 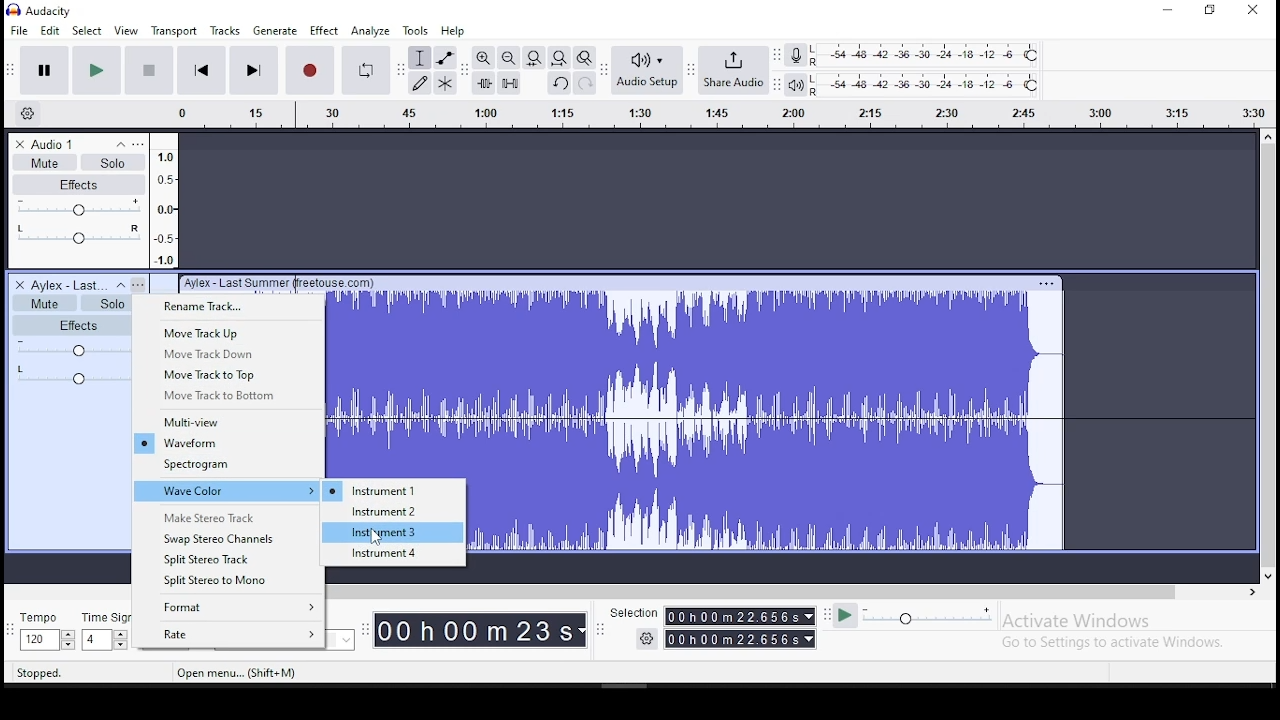 What do you see at coordinates (420, 58) in the screenshot?
I see `selection tool` at bounding box center [420, 58].